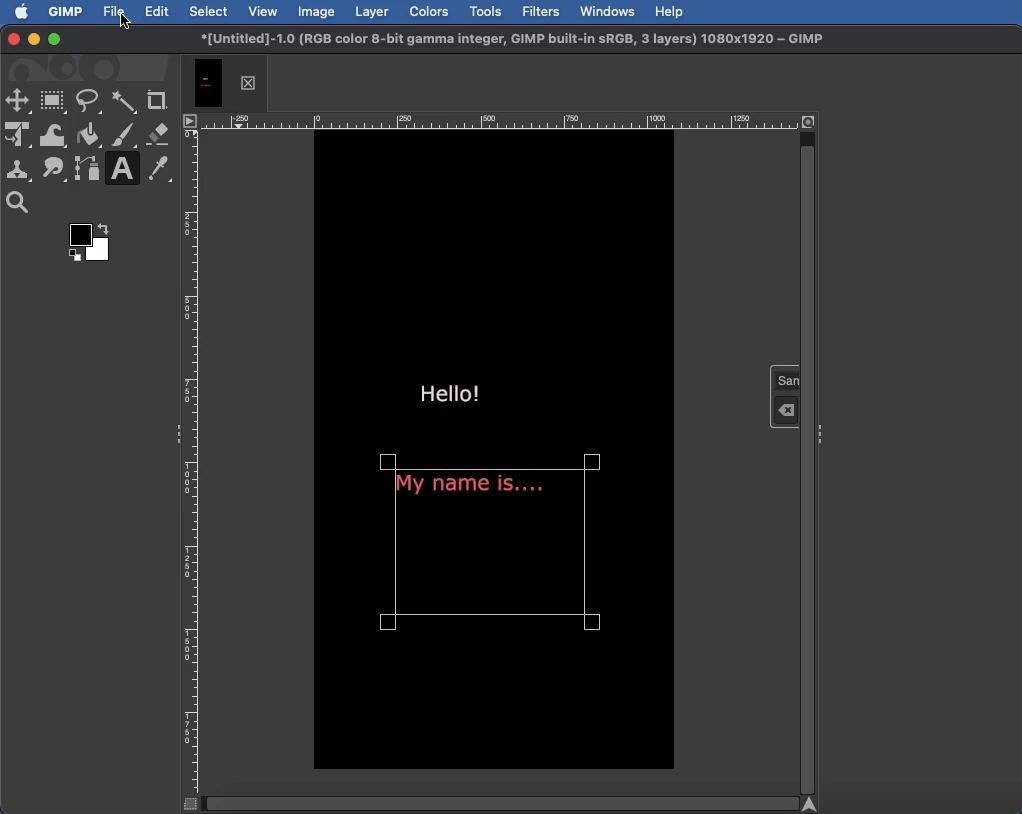 This screenshot has height=814, width=1022. Describe the element at coordinates (317, 12) in the screenshot. I see `Image` at that location.